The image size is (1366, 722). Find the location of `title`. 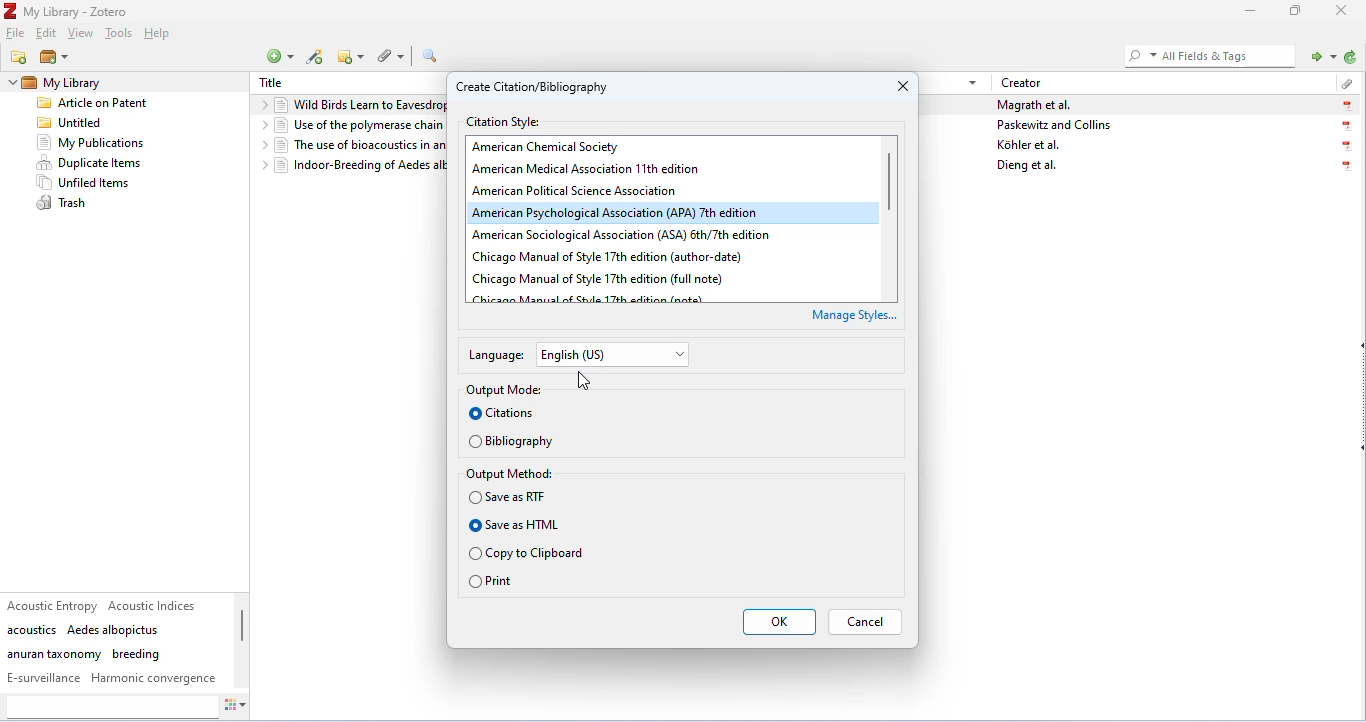

title is located at coordinates (271, 83).